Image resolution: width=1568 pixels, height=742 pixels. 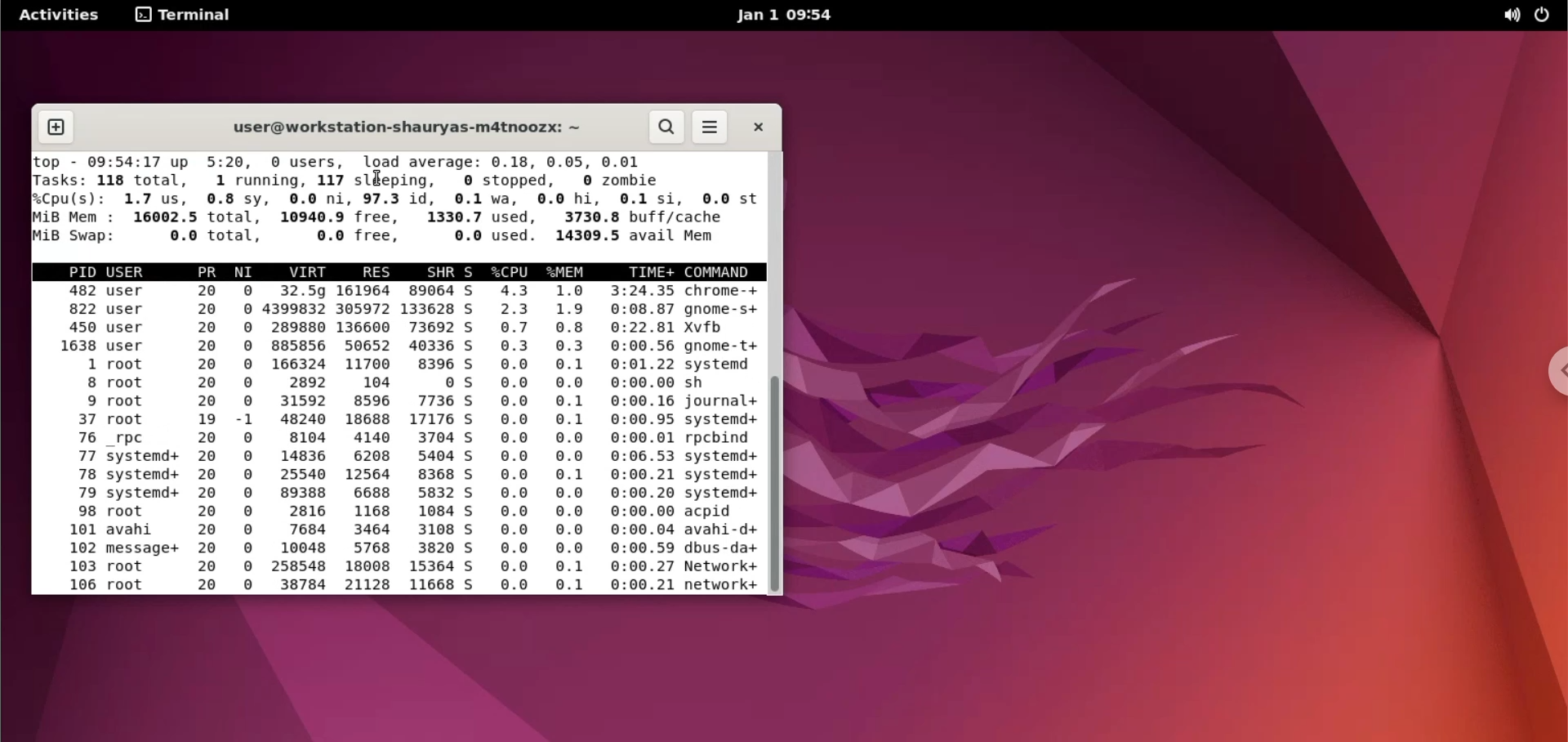 I want to click on search, so click(x=663, y=127).